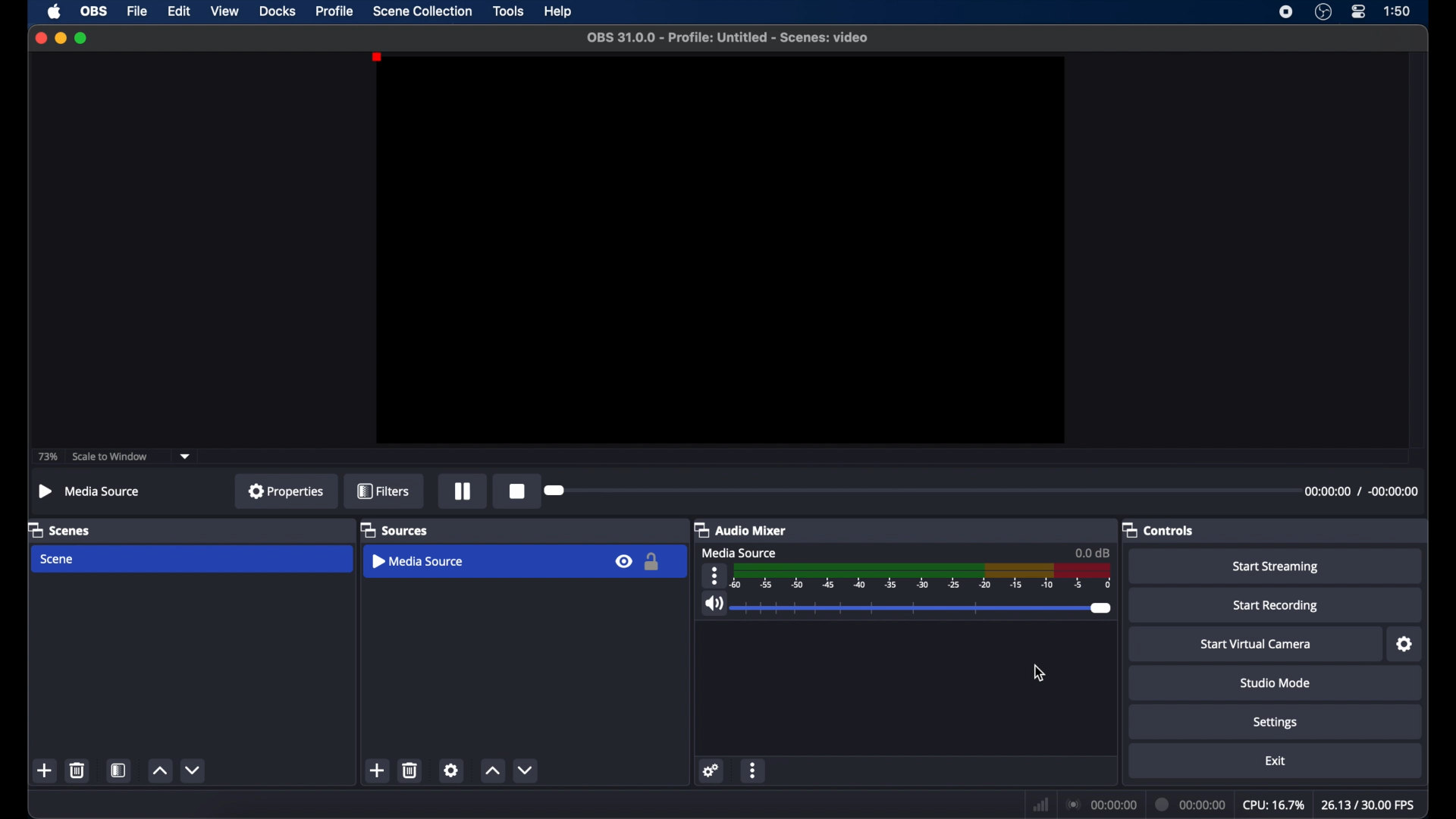  What do you see at coordinates (61, 38) in the screenshot?
I see `minimize` at bounding box center [61, 38].